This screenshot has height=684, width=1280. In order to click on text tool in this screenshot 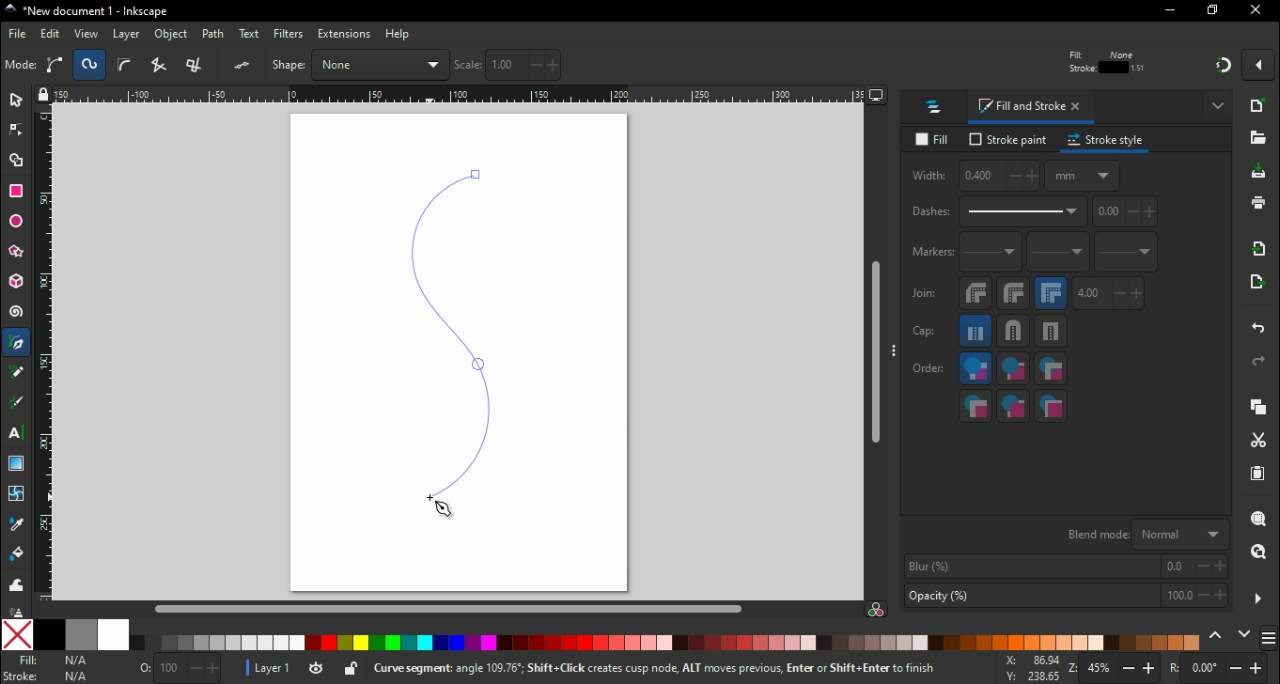, I will do `click(17, 433)`.